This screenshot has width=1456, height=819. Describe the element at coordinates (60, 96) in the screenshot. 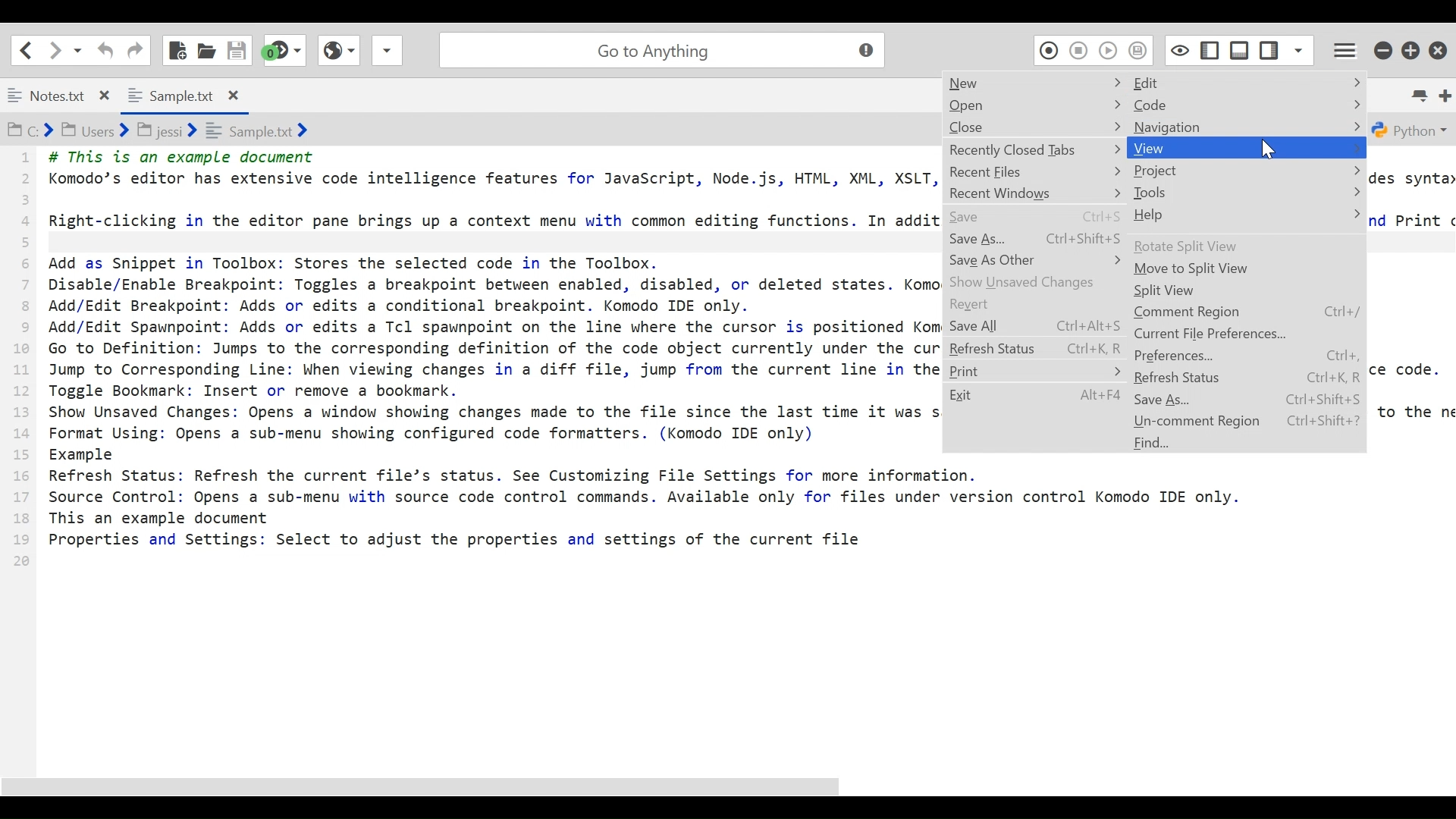

I see `Notes.txt` at that location.